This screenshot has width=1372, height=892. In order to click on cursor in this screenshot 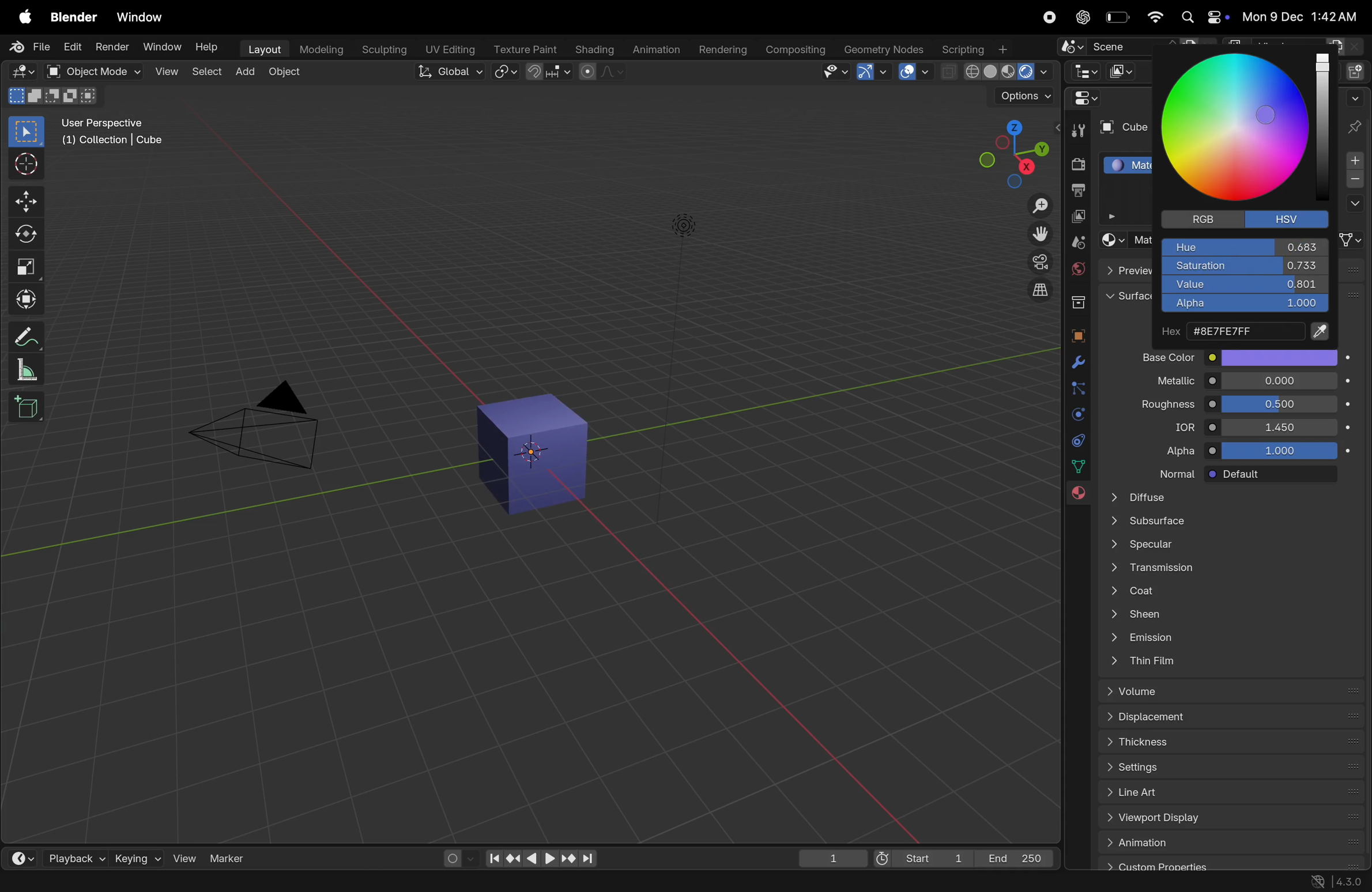, I will do `click(1235, 143)`.